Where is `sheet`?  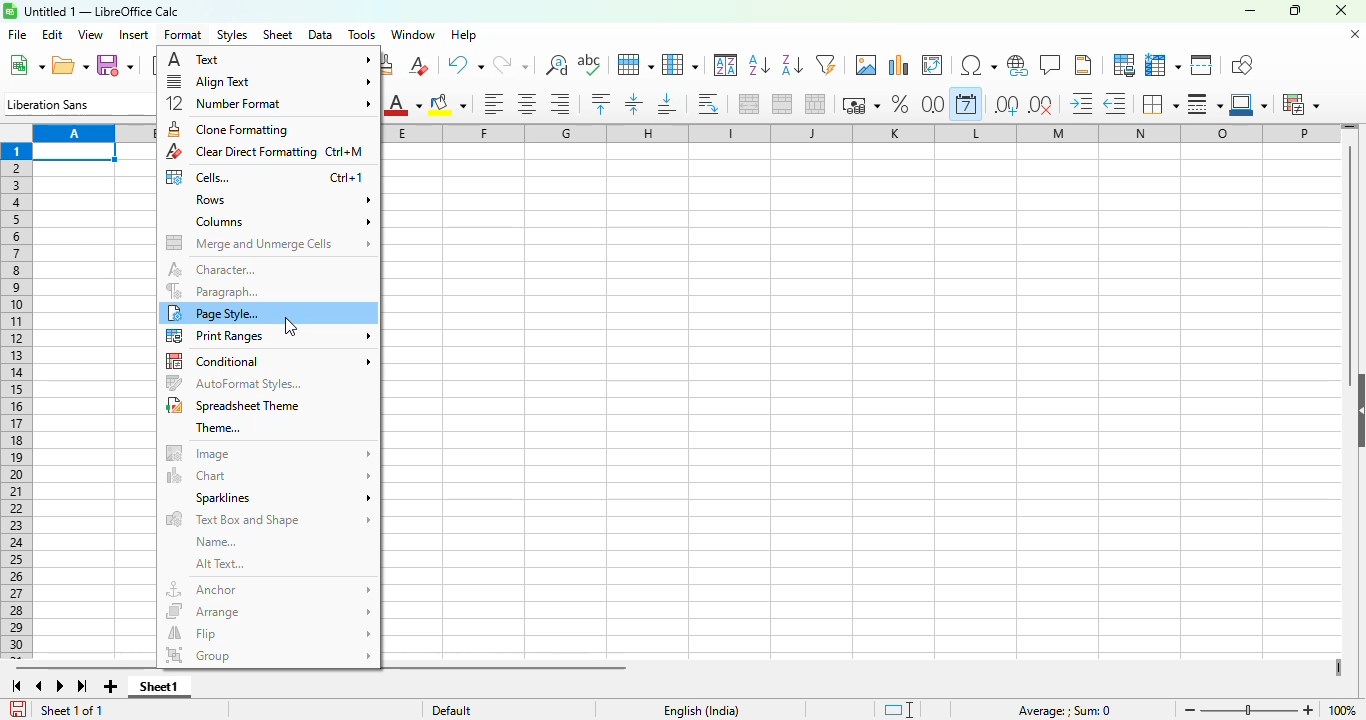 sheet is located at coordinates (277, 35).